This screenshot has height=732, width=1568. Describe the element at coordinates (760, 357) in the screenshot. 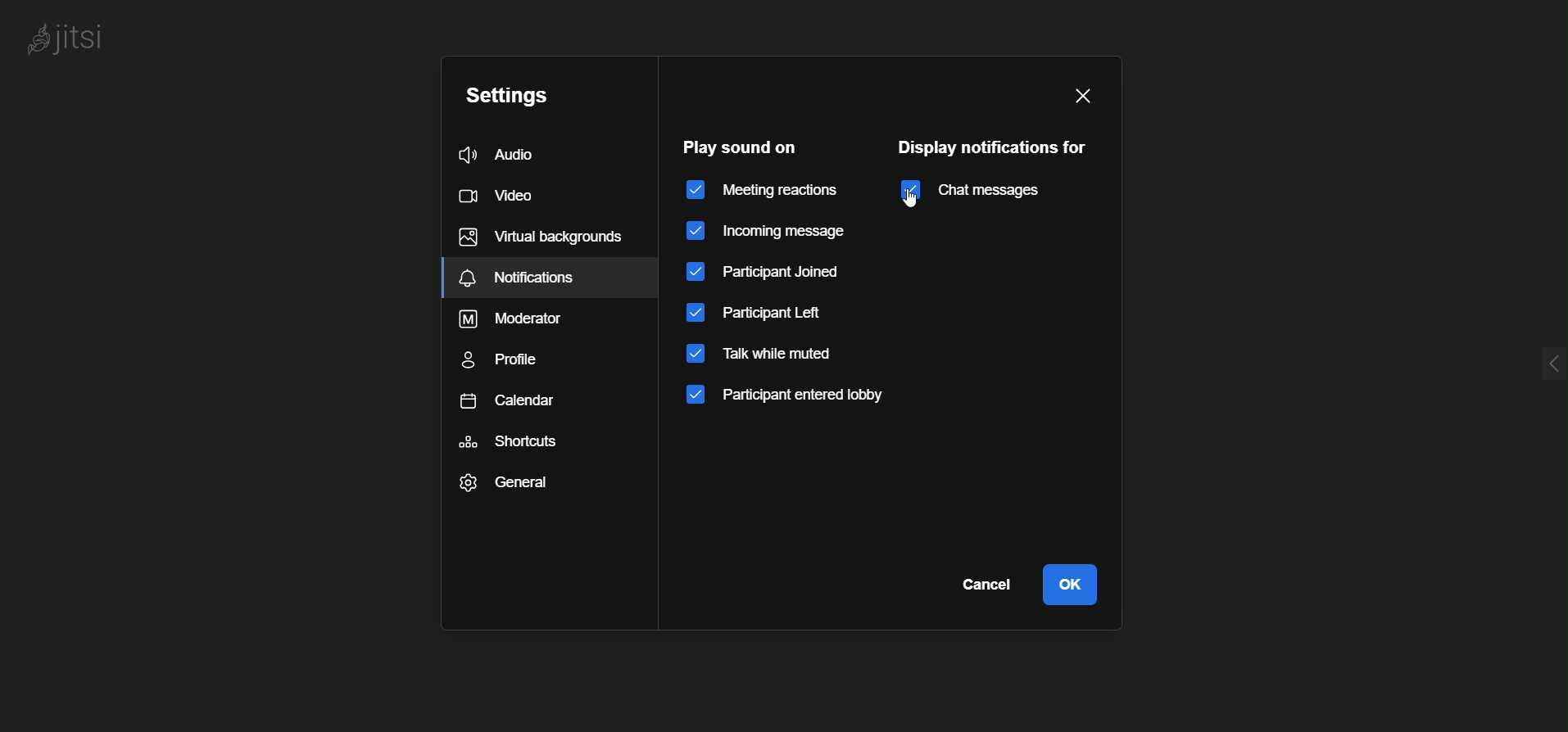

I see `talk while muted` at that location.